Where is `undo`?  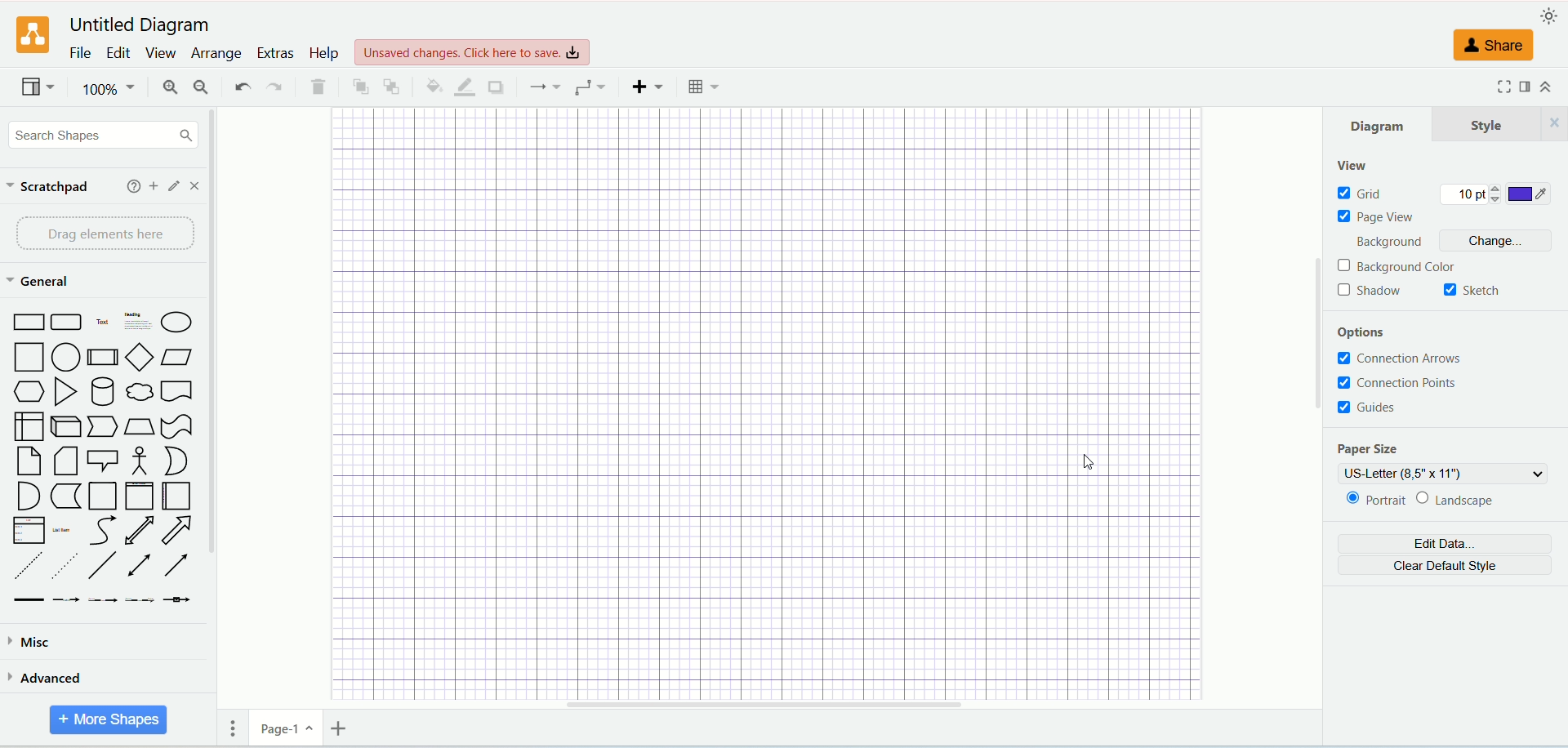 undo is located at coordinates (238, 86).